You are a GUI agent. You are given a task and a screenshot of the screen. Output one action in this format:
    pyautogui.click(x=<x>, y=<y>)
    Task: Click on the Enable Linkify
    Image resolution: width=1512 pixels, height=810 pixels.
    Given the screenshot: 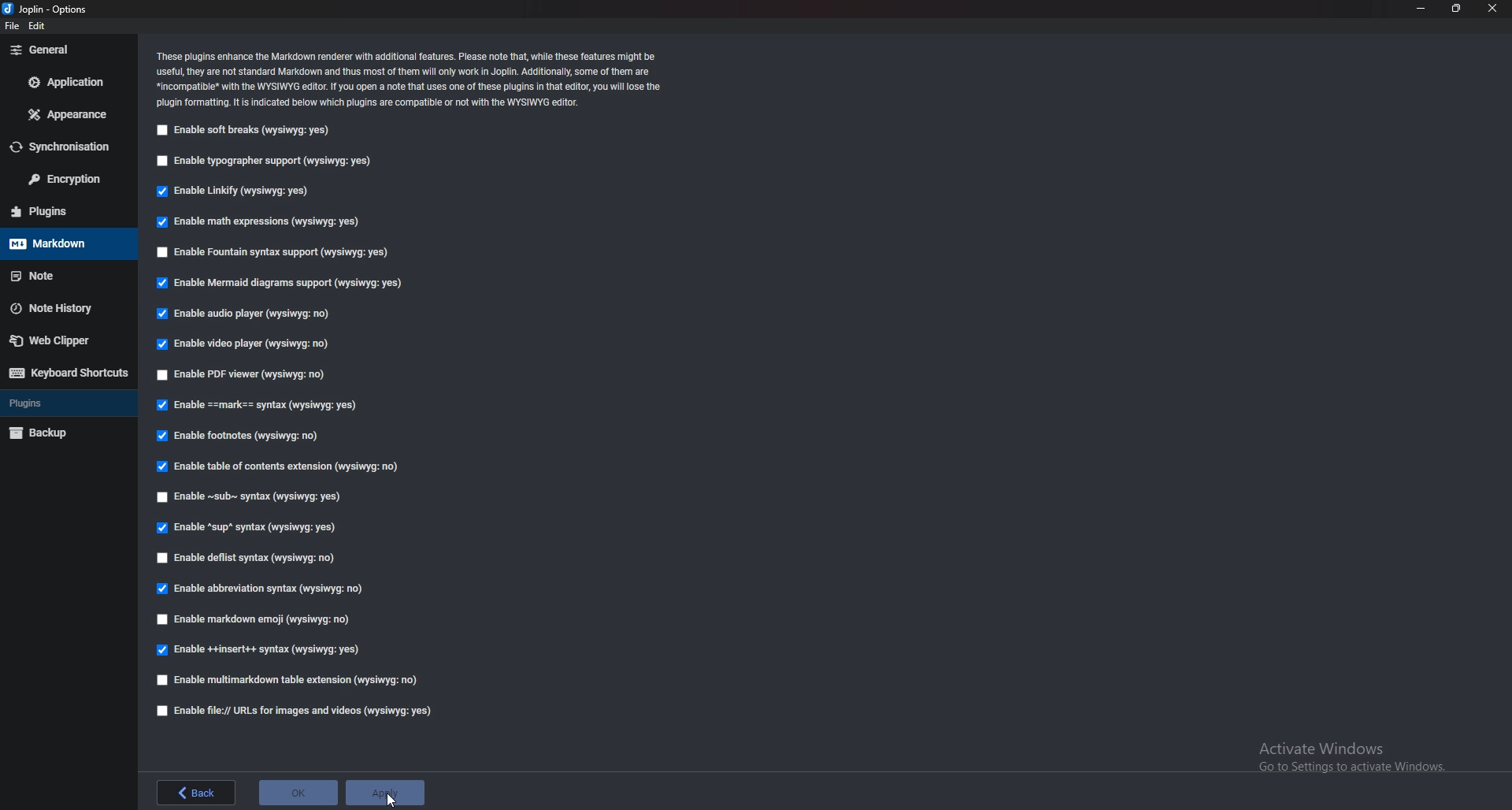 What is the action you would take?
    pyautogui.click(x=241, y=191)
    